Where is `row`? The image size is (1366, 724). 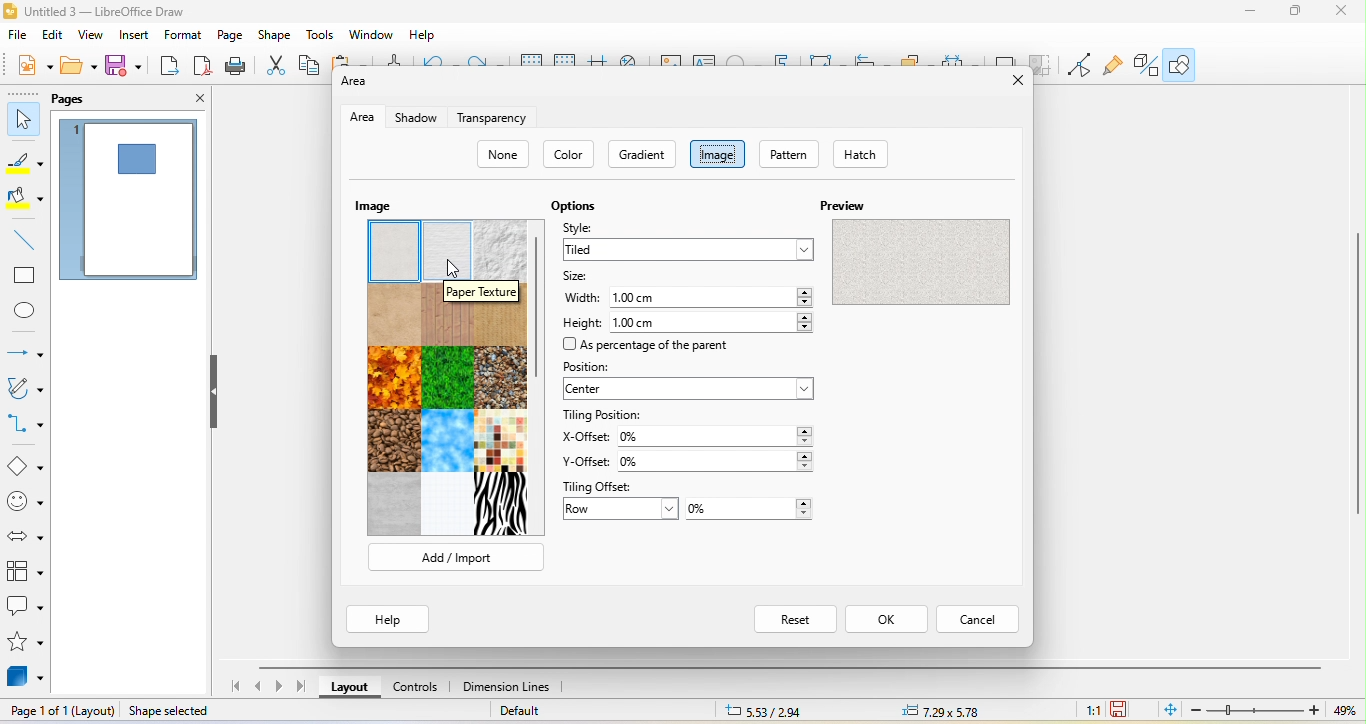 row is located at coordinates (619, 511).